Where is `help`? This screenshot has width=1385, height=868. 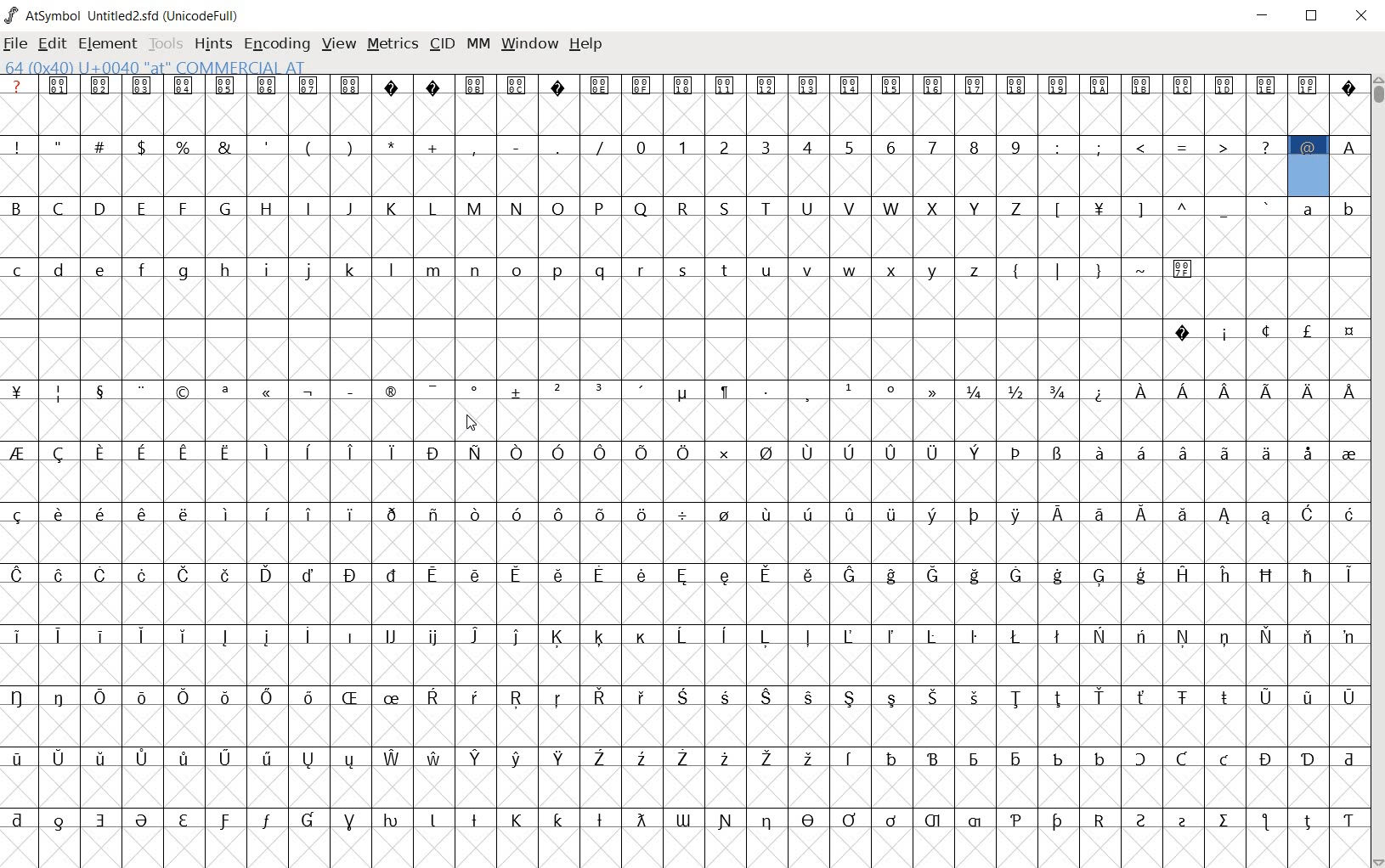
help is located at coordinates (588, 45).